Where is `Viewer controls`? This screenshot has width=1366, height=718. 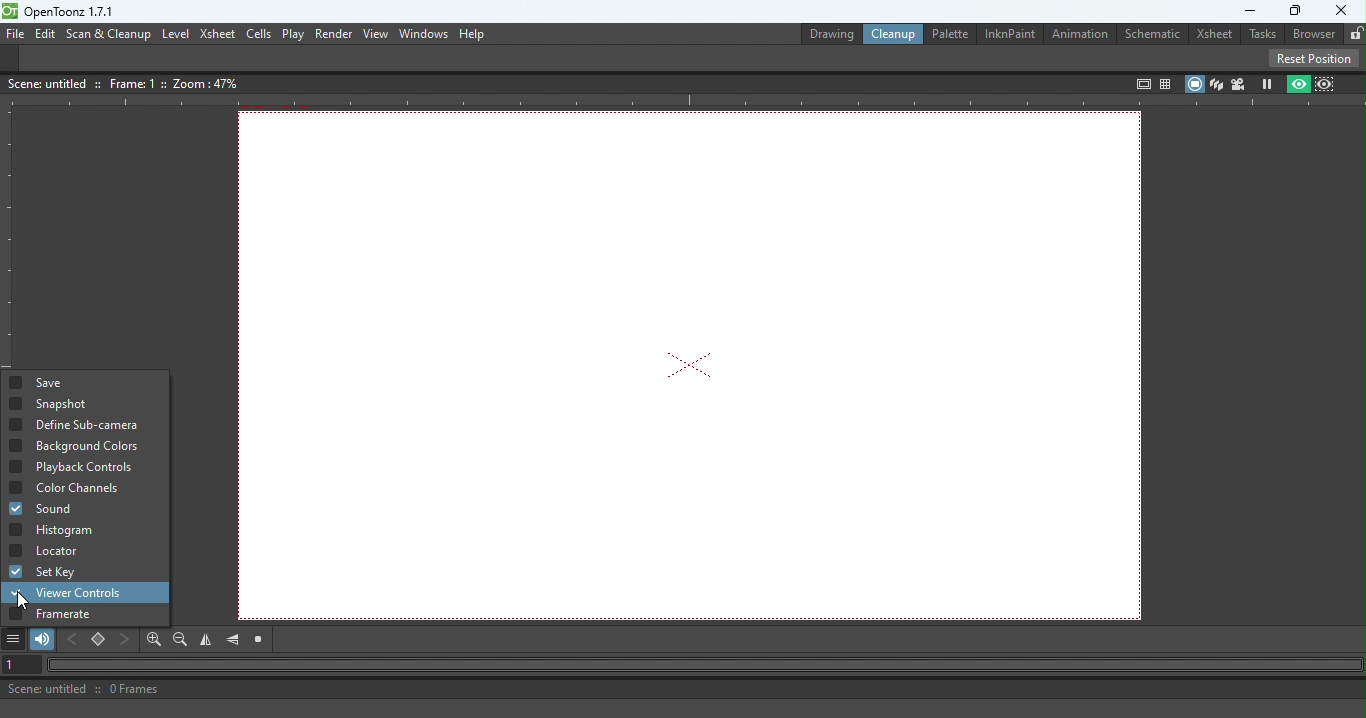 Viewer controls is located at coordinates (91, 593).